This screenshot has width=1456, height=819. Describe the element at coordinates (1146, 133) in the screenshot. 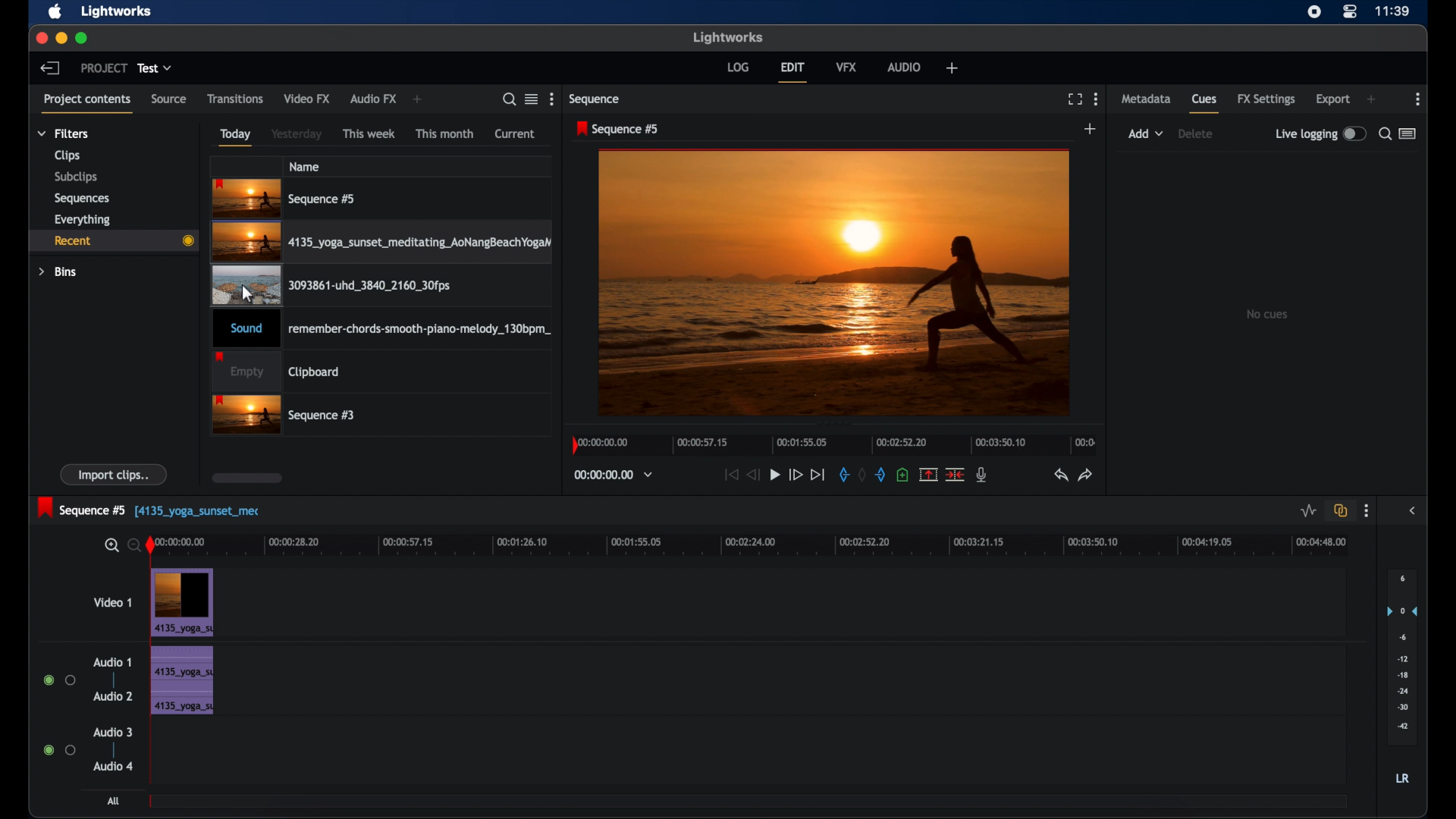

I see `add` at that location.